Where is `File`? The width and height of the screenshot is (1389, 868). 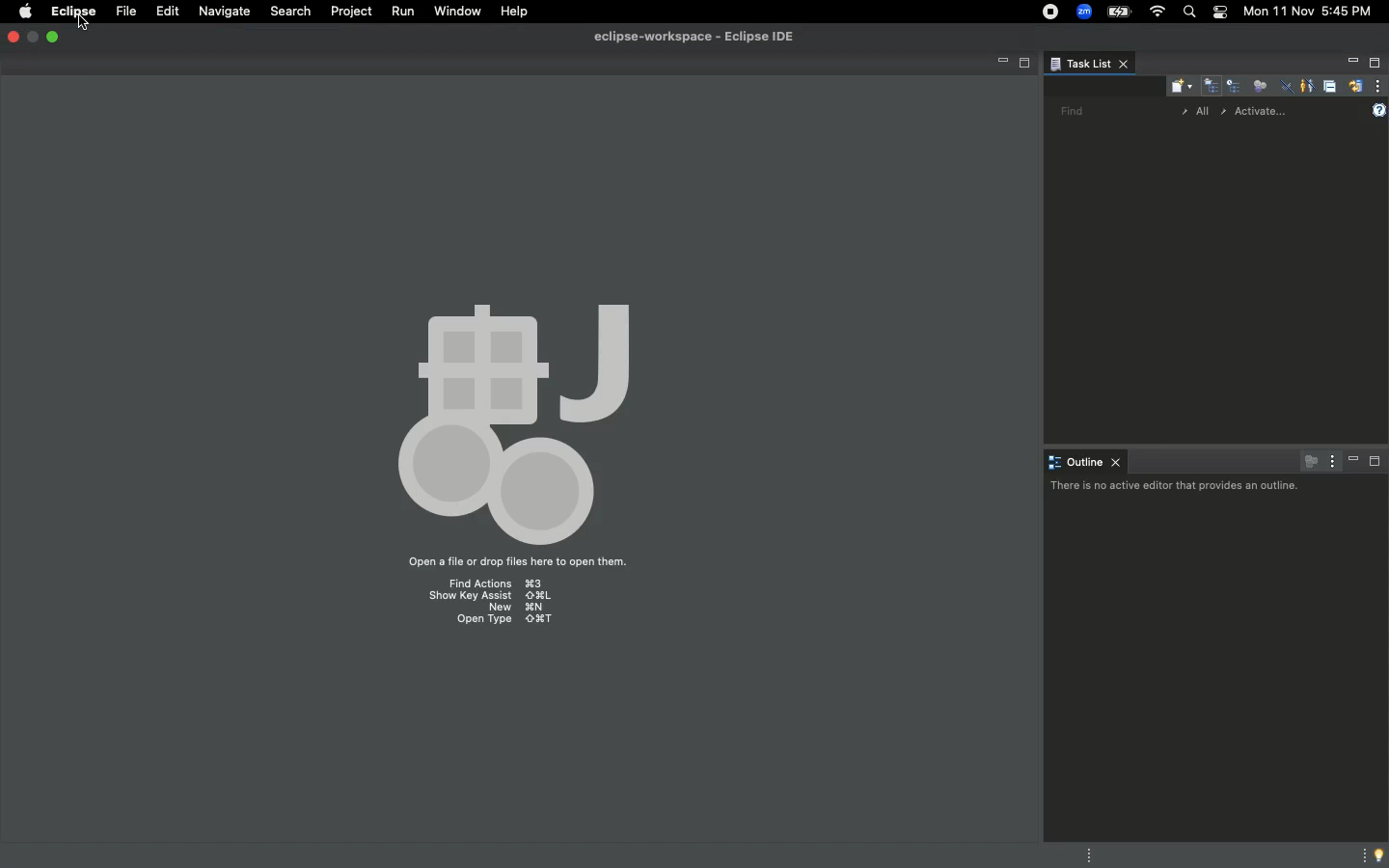 File is located at coordinates (124, 12).